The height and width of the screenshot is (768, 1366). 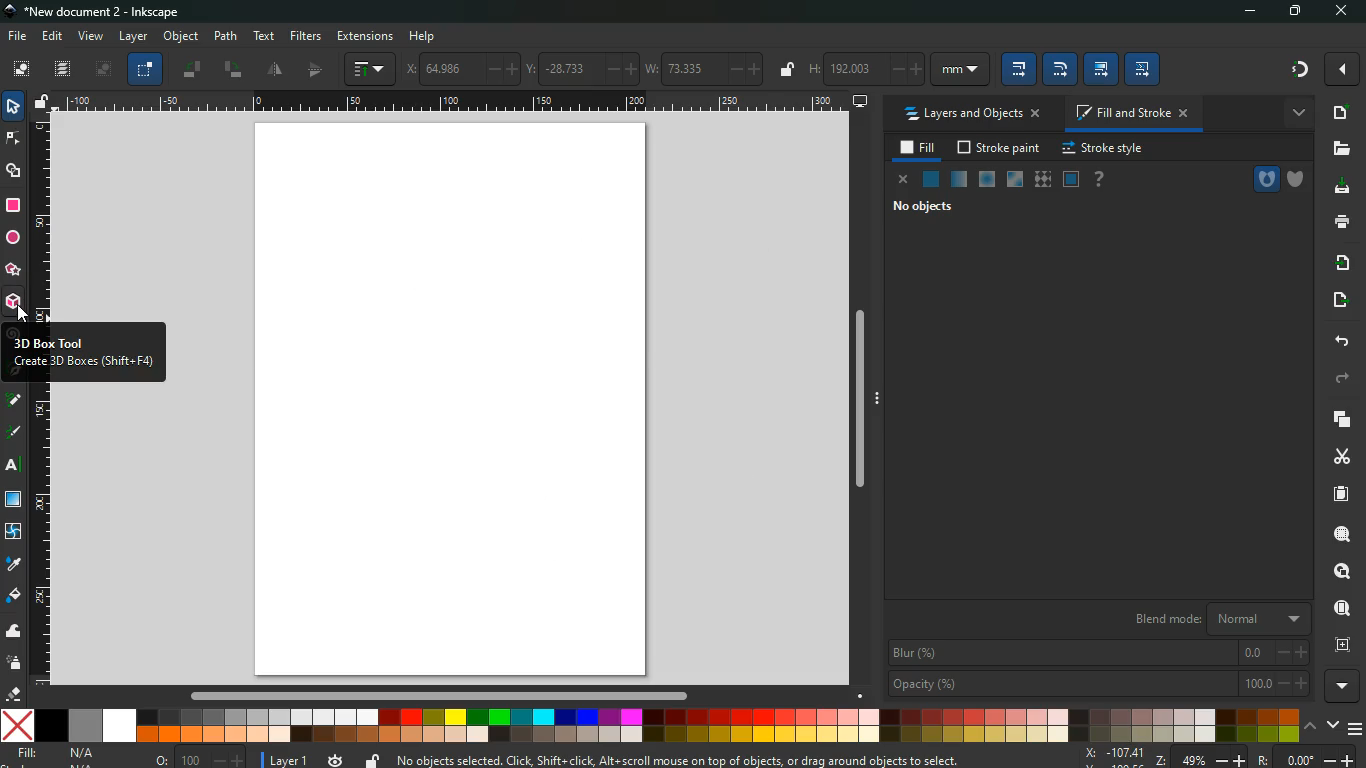 I want to click on tilt, so click(x=194, y=69).